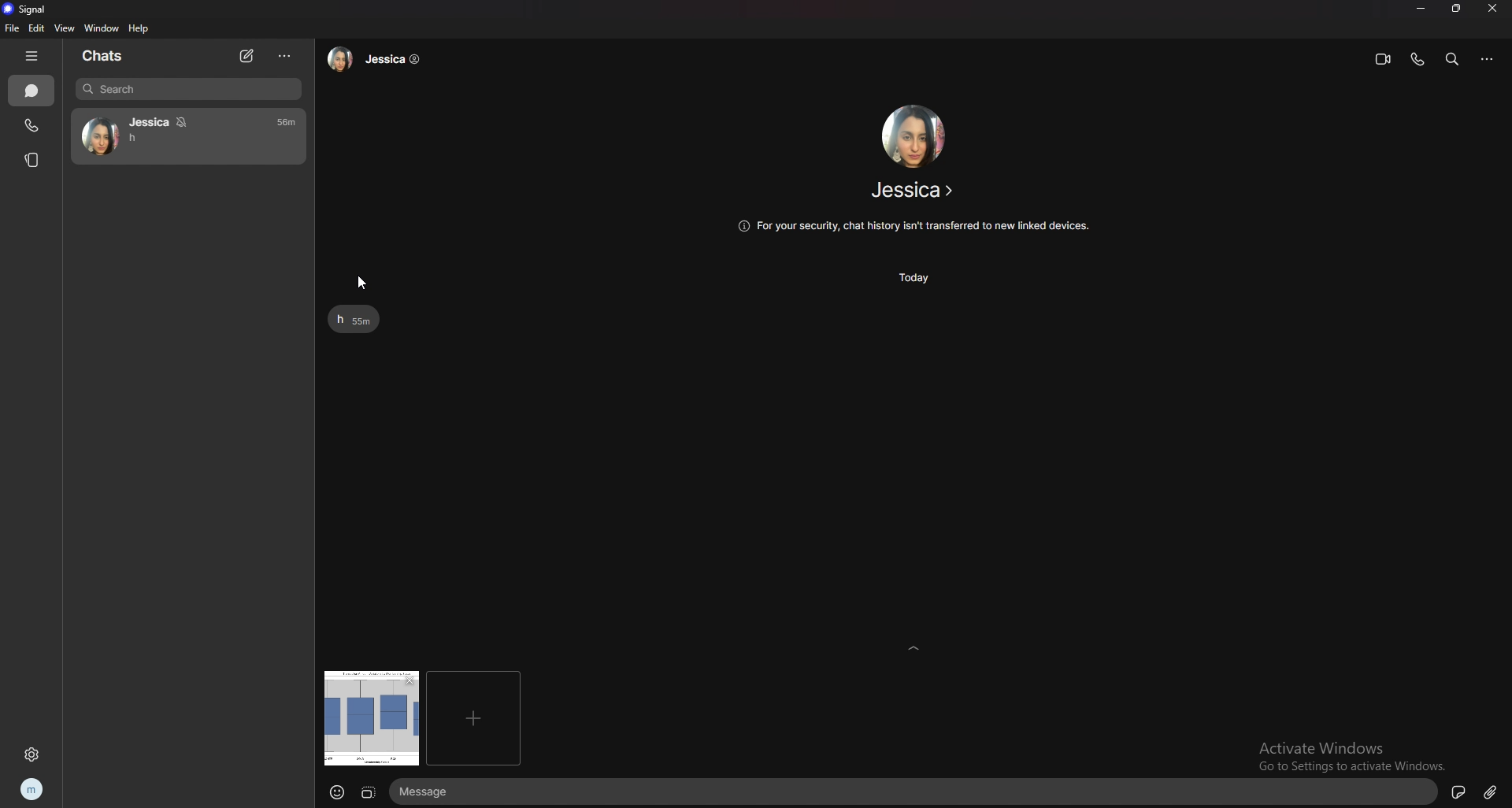 The height and width of the screenshot is (808, 1512). What do you see at coordinates (38, 28) in the screenshot?
I see `edit` at bounding box center [38, 28].